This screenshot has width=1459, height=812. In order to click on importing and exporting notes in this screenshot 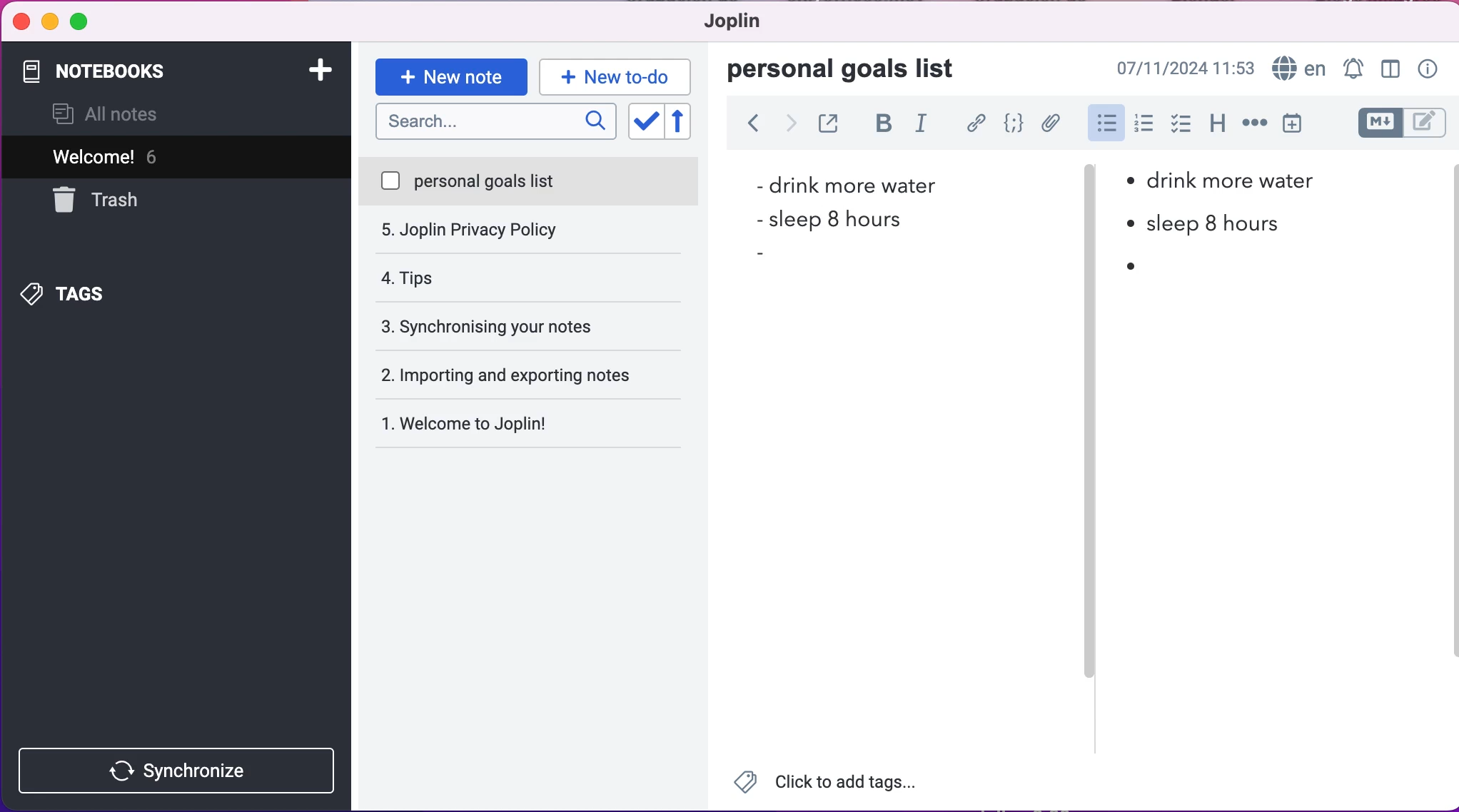, I will do `click(536, 325)`.